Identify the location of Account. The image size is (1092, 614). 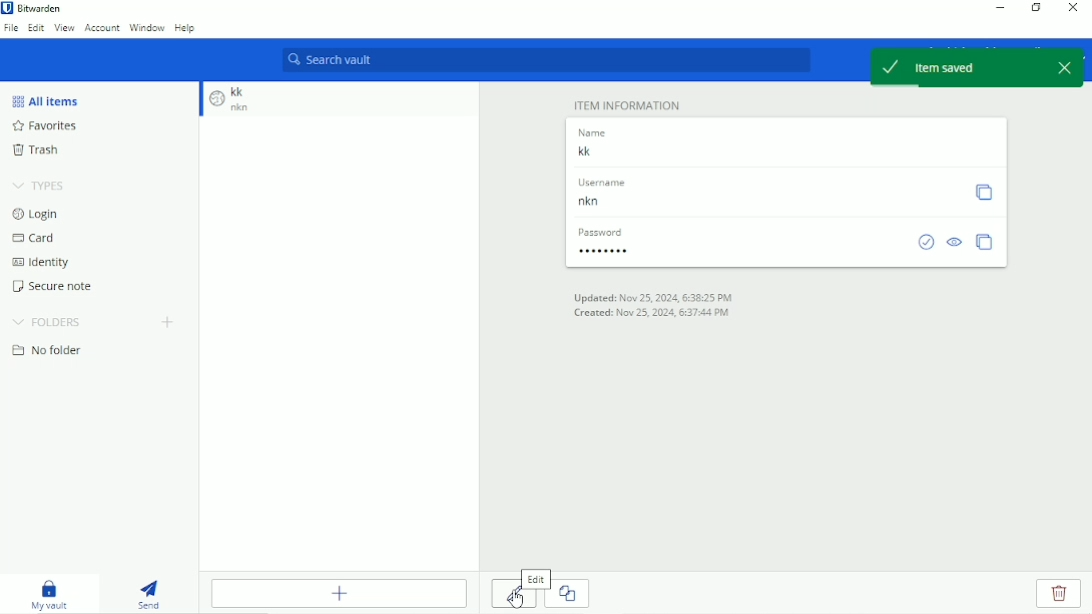
(103, 27).